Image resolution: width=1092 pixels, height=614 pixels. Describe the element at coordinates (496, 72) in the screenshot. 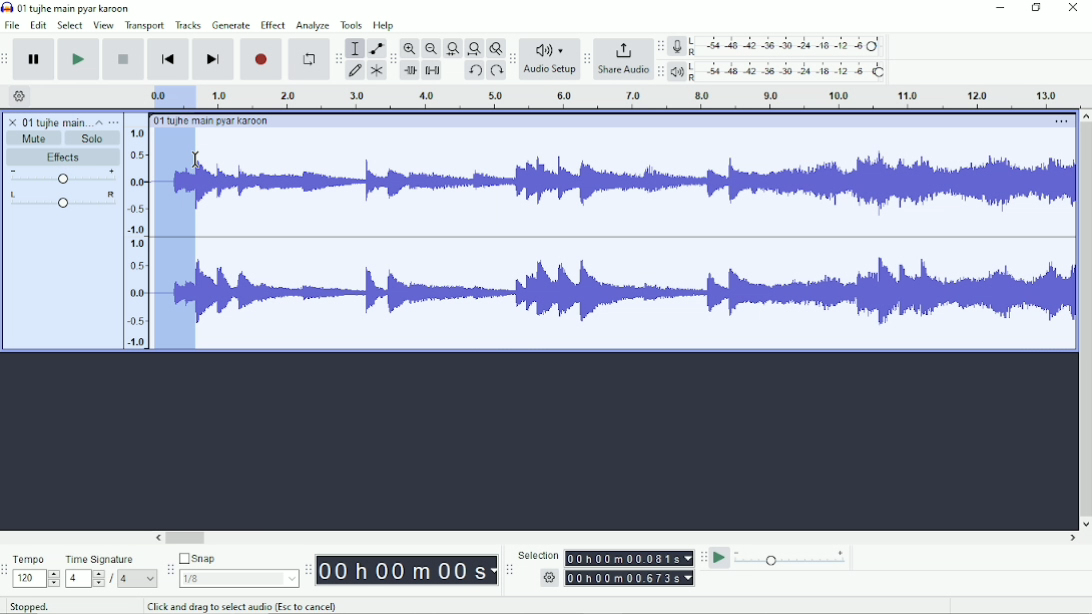

I see `Redo` at that location.